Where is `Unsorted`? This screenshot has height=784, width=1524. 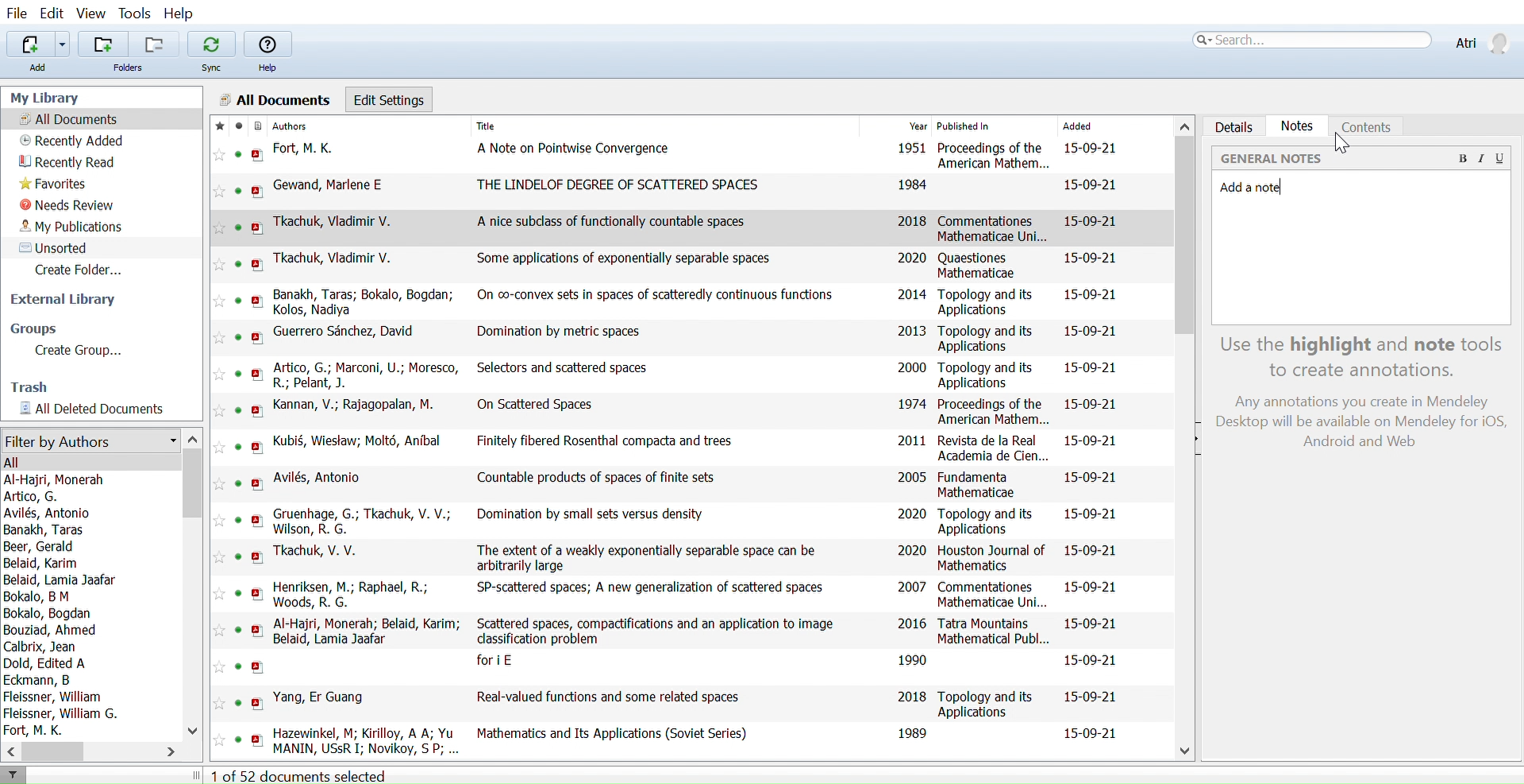
Unsorted is located at coordinates (55, 248).